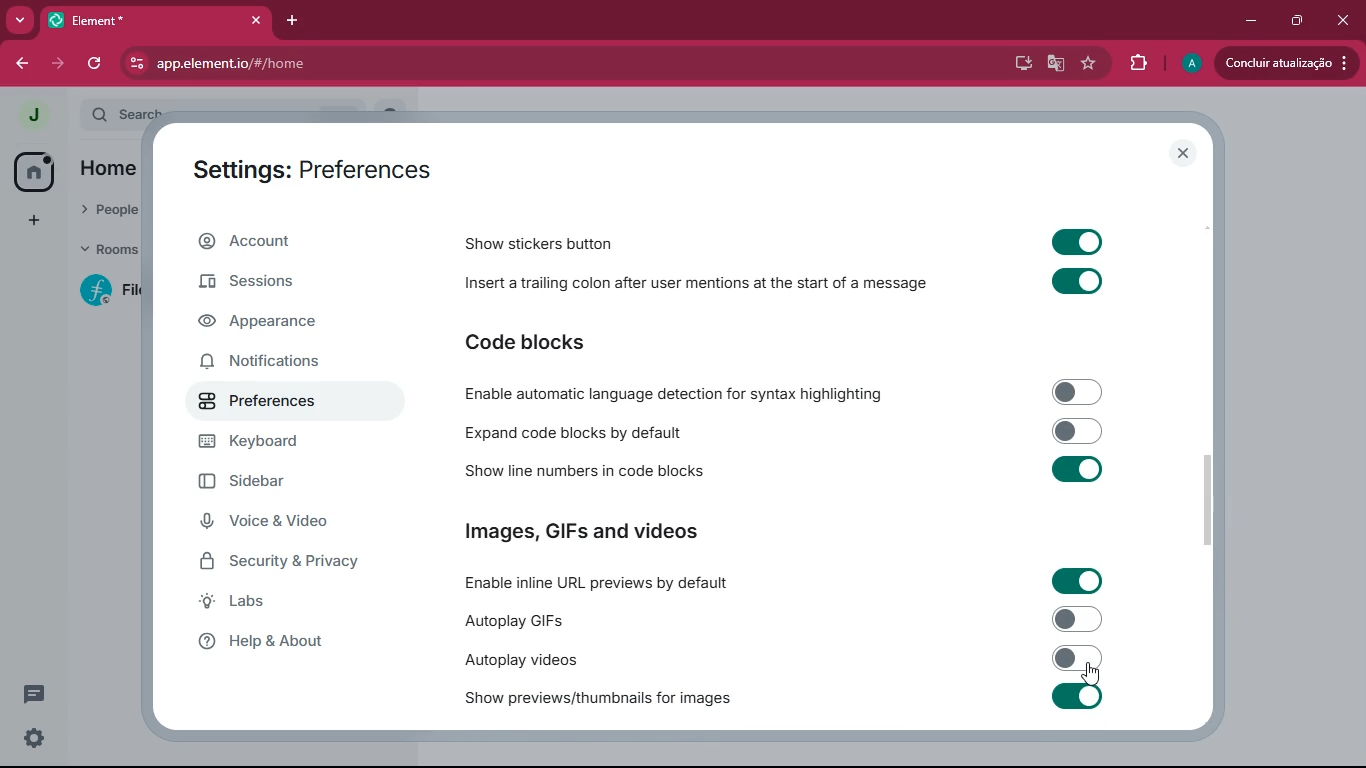  What do you see at coordinates (1137, 61) in the screenshot?
I see `extensions` at bounding box center [1137, 61].